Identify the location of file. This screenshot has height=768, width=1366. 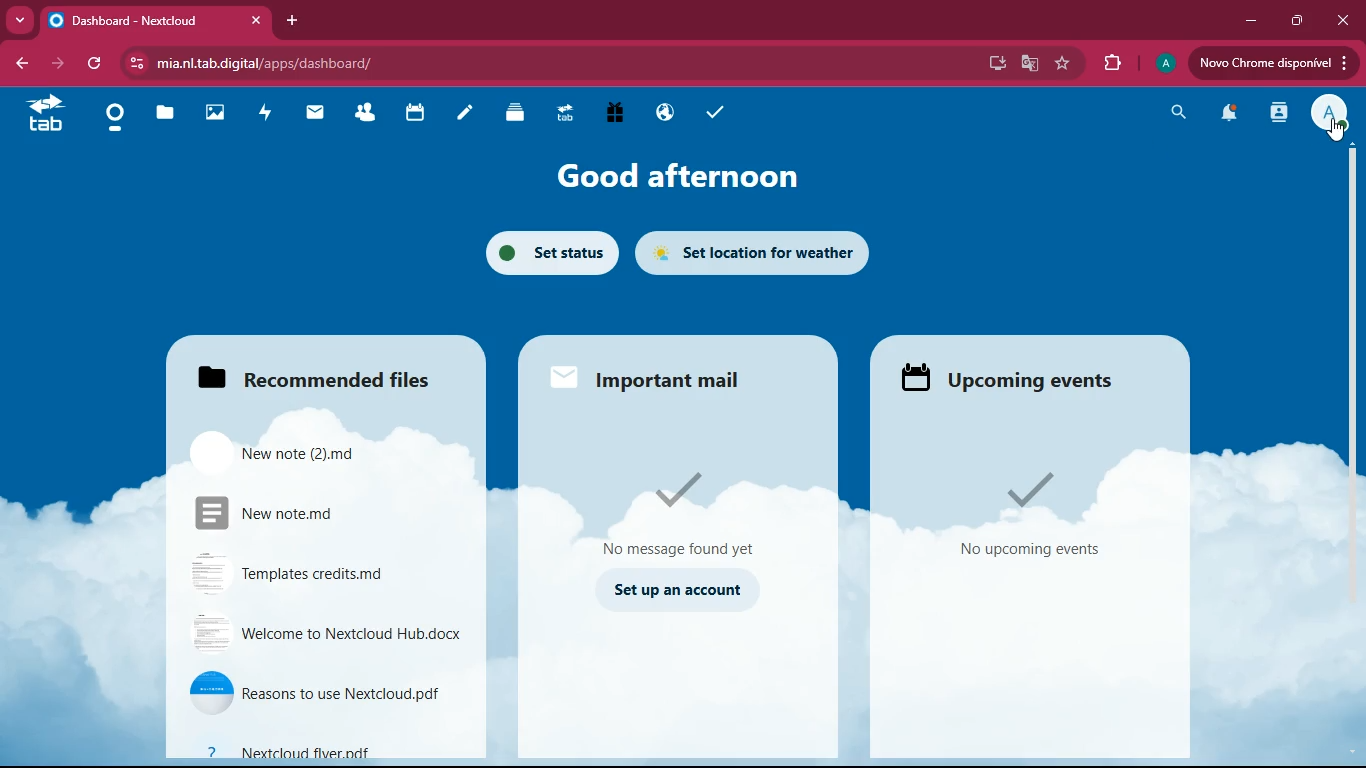
(327, 694).